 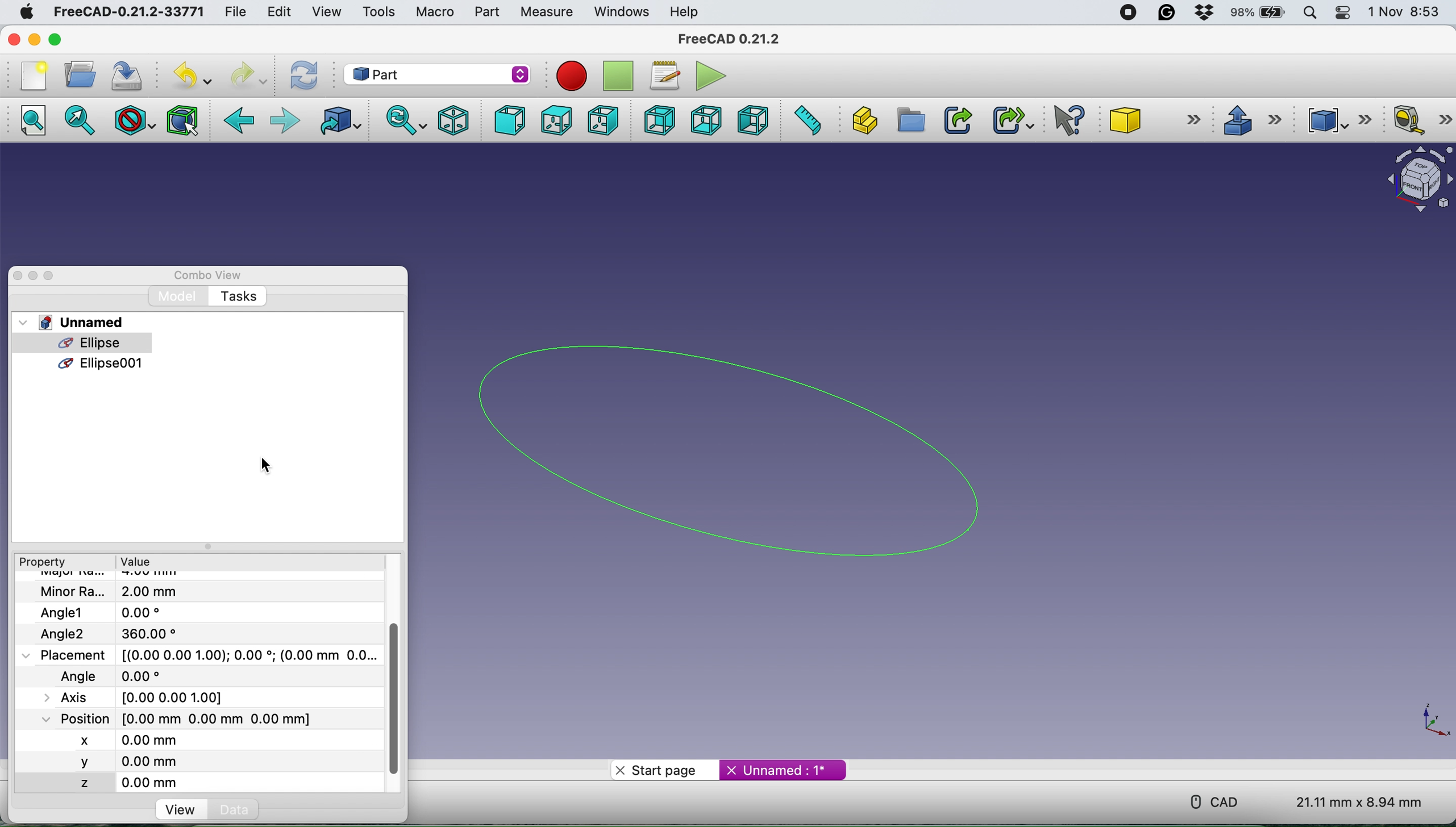 What do you see at coordinates (18, 275) in the screenshot?
I see `close` at bounding box center [18, 275].